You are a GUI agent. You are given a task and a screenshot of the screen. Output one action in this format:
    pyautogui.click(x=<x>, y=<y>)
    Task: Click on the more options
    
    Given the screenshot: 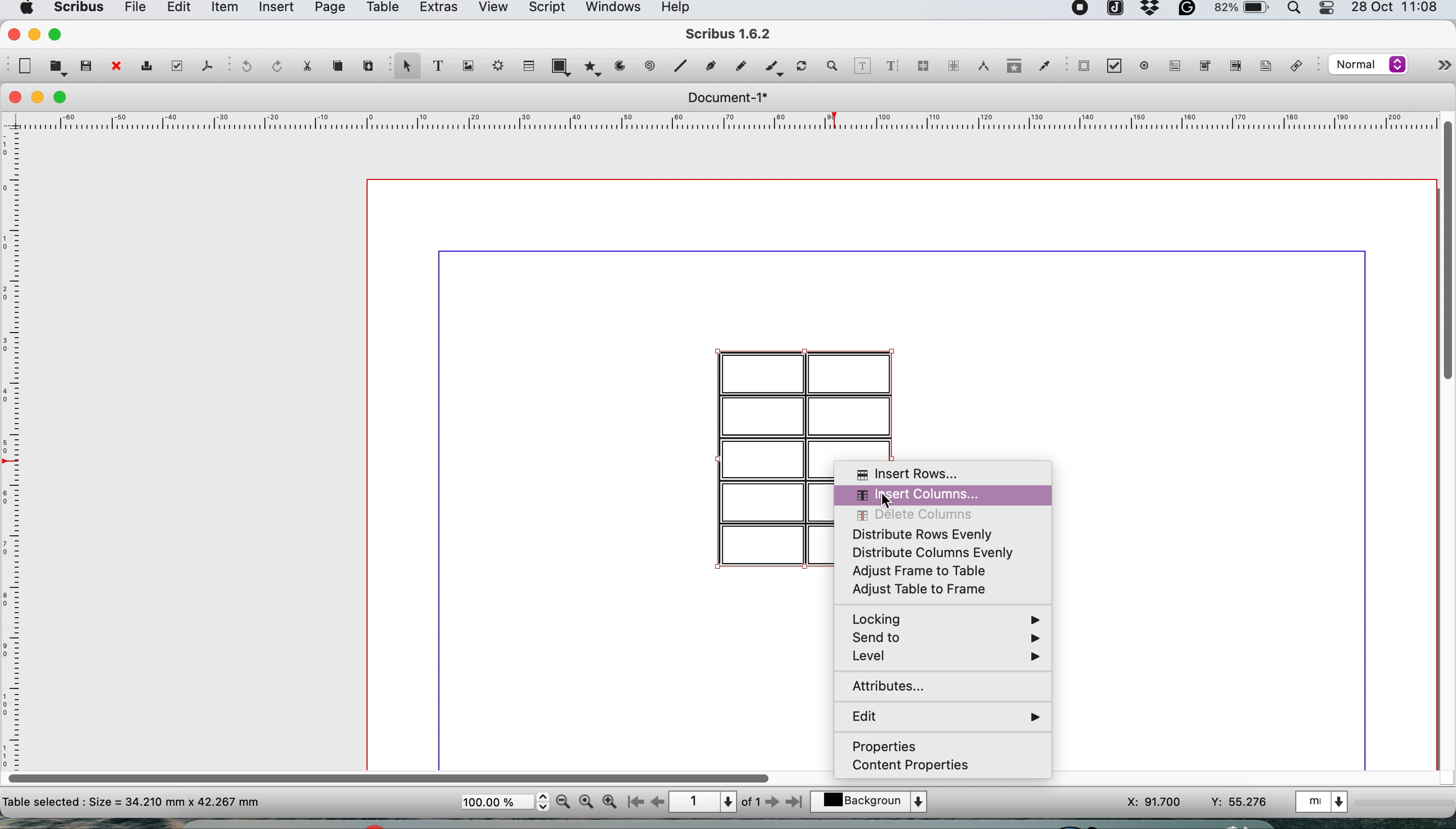 What is the action you would take?
    pyautogui.click(x=1432, y=68)
    